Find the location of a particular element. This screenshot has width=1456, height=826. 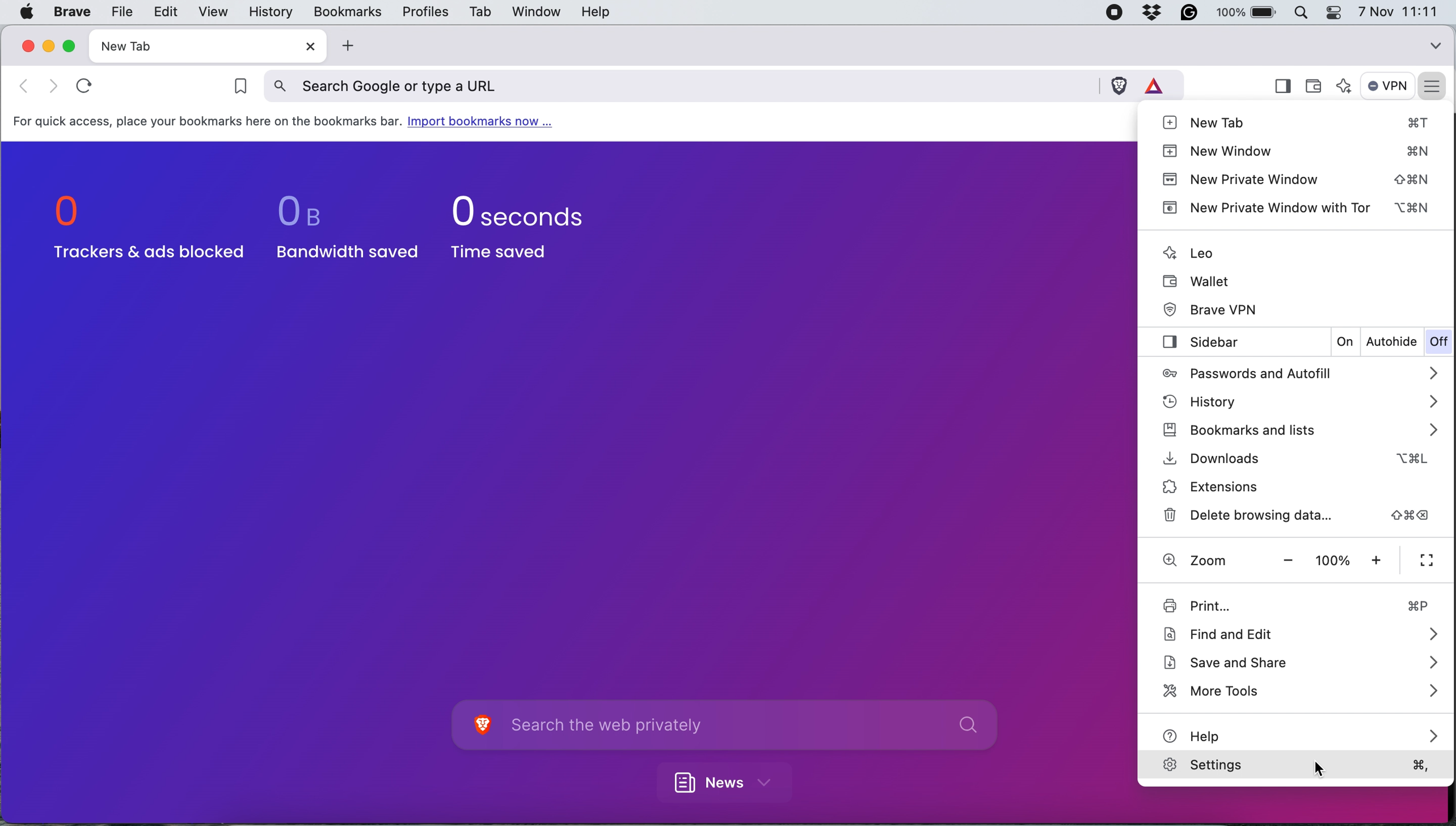

import bookmarks now... is located at coordinates (486, 123).